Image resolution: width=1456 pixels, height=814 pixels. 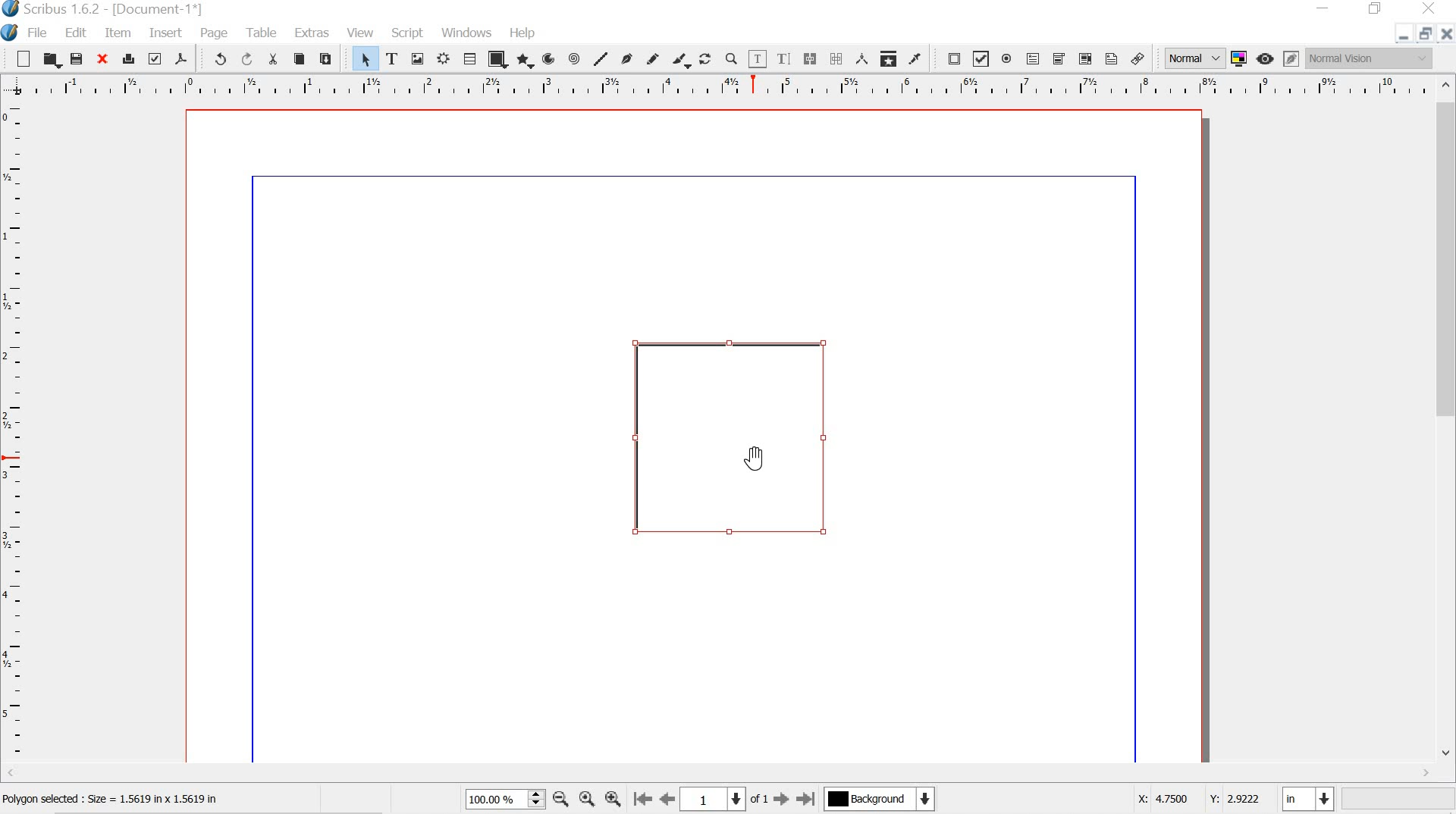 I want to click on close, so click(x=1446, y=36).